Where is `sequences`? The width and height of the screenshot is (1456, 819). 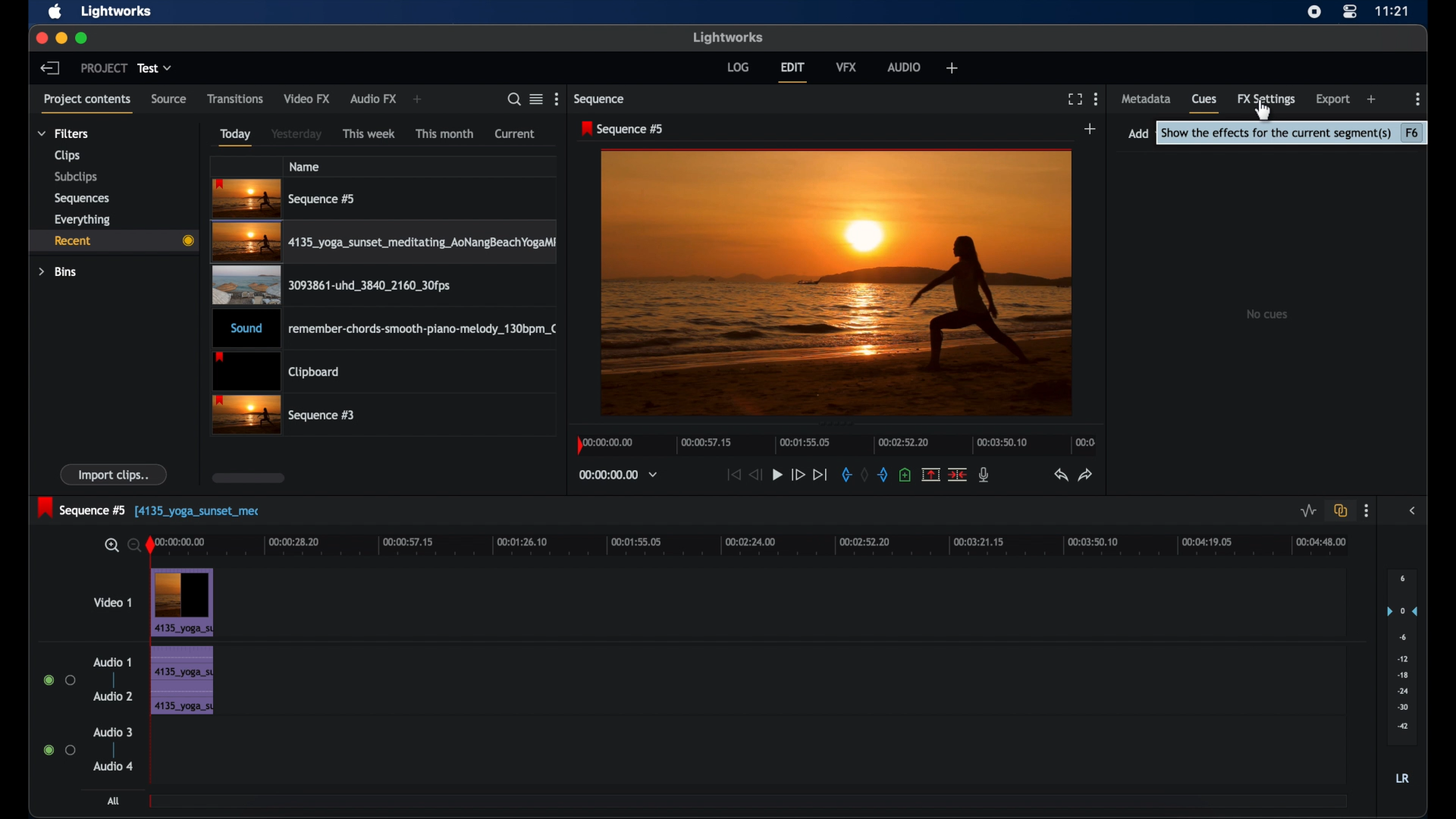
sequences is located at coordinates (82, 199).